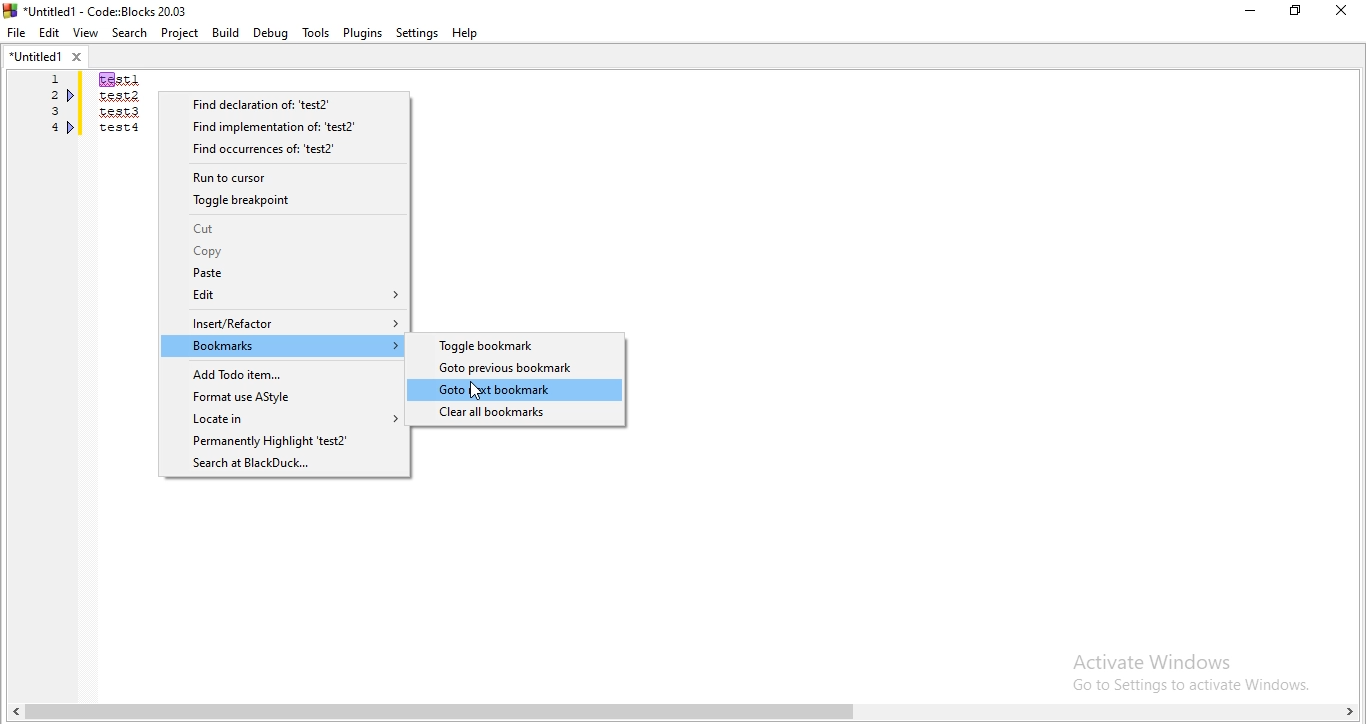 The height and width of the screenshot is (724, 1366). I want to click on logo, so click(98, 9).